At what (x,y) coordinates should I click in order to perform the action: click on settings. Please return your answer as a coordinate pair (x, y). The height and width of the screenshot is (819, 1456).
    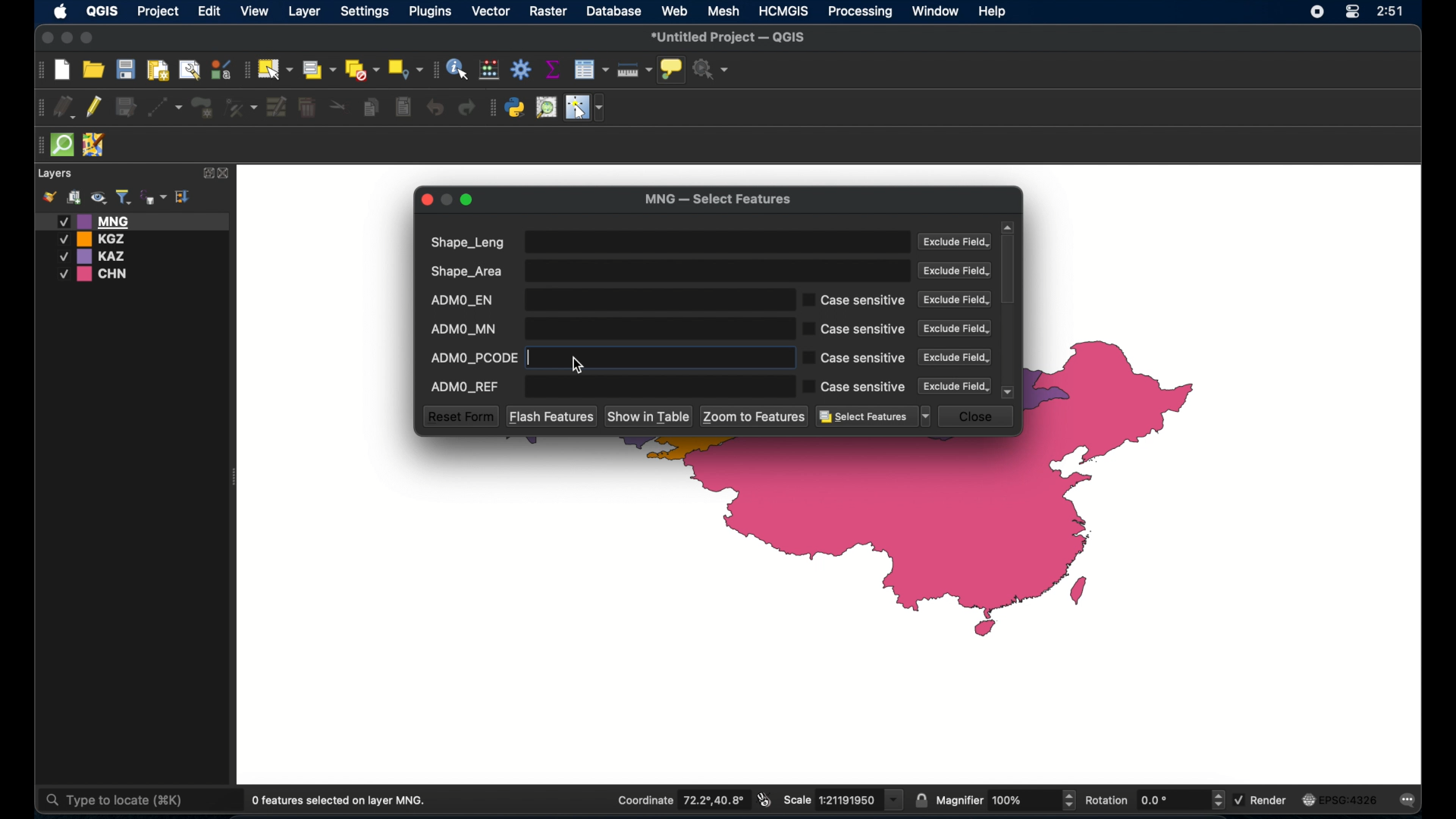
    Looking at the image, I should click on (364, 12).